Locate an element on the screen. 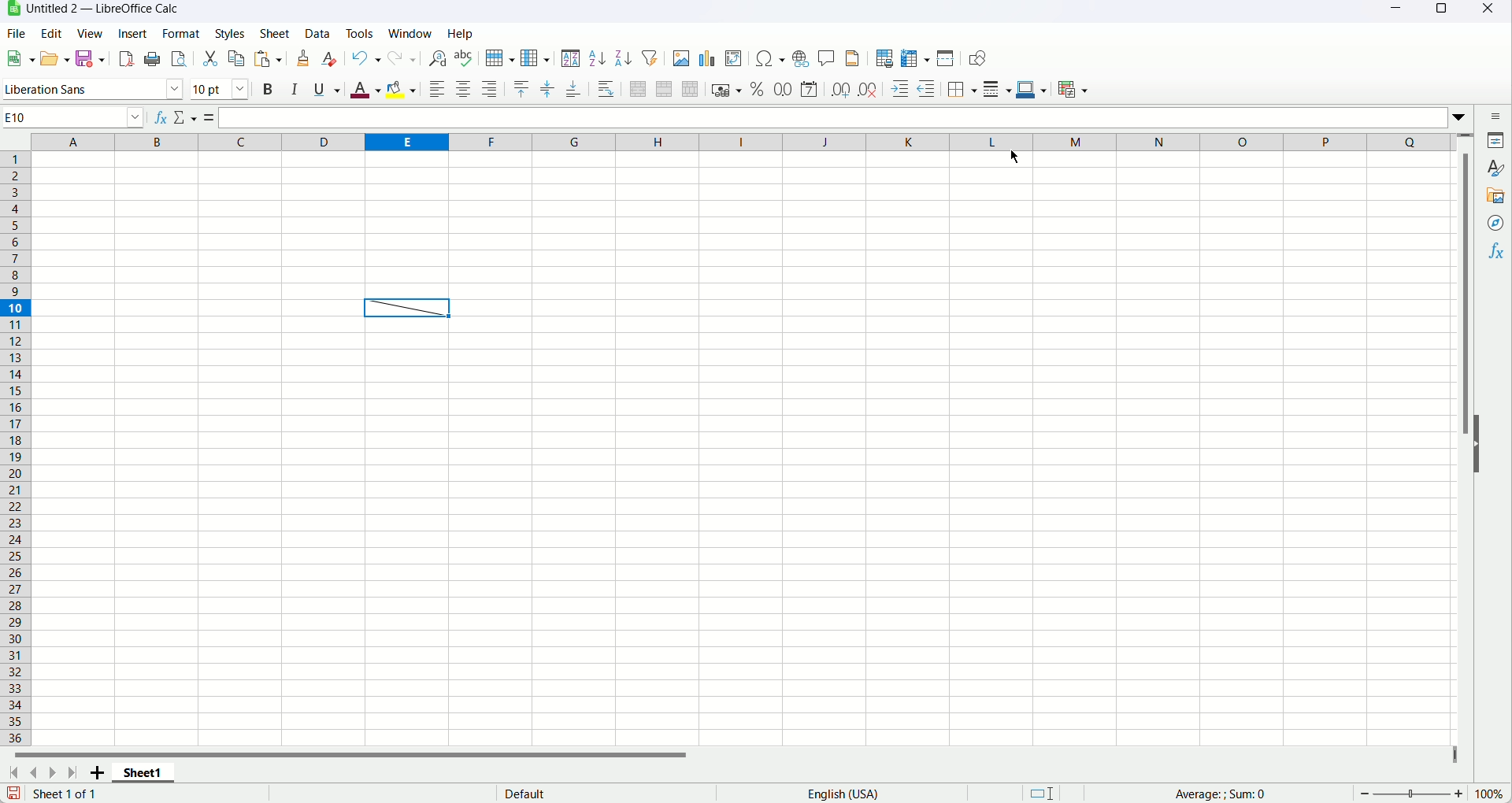  Merge and center is located at coordinates (638, 88).